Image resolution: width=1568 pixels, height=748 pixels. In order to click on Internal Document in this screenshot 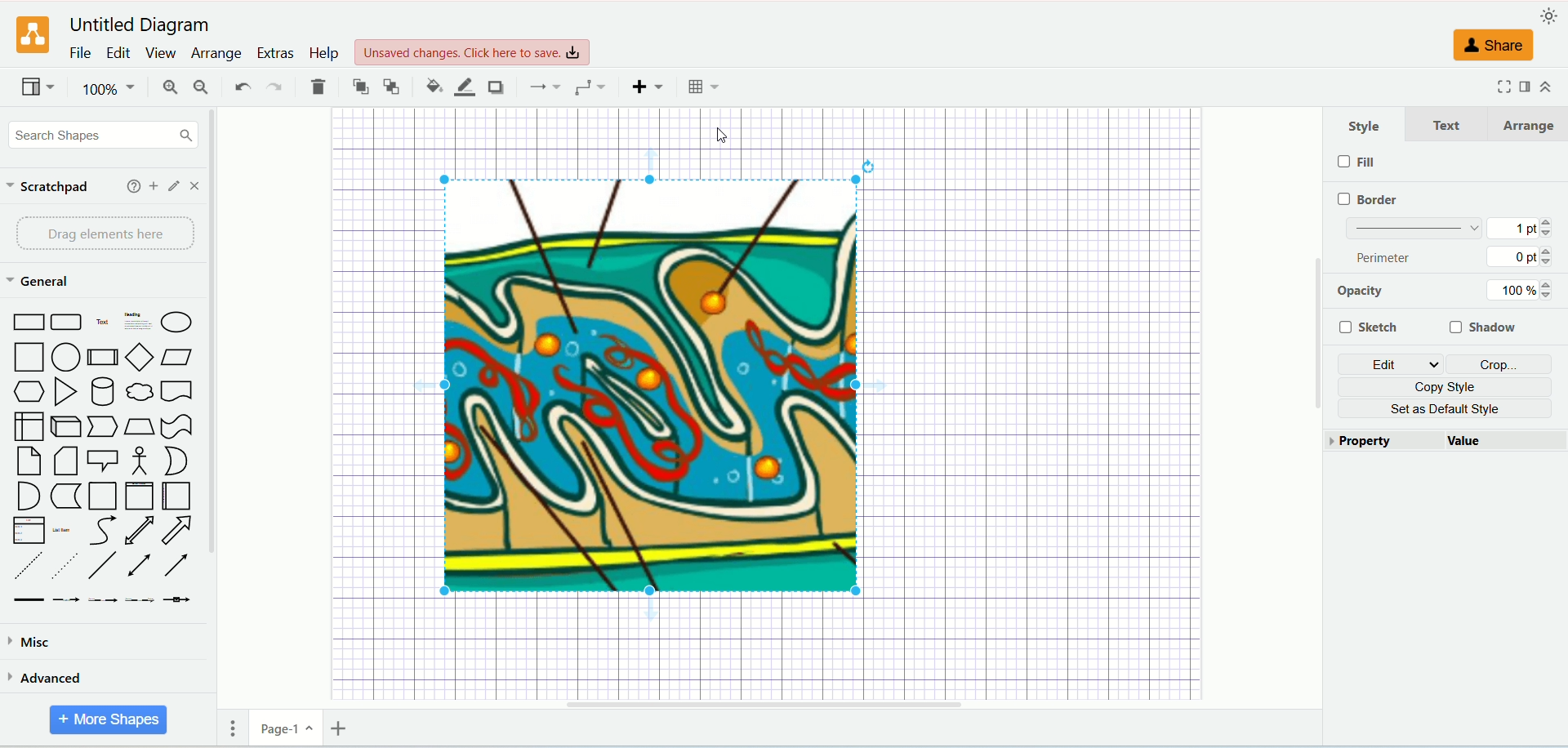, I will do `click(29, 427)`.